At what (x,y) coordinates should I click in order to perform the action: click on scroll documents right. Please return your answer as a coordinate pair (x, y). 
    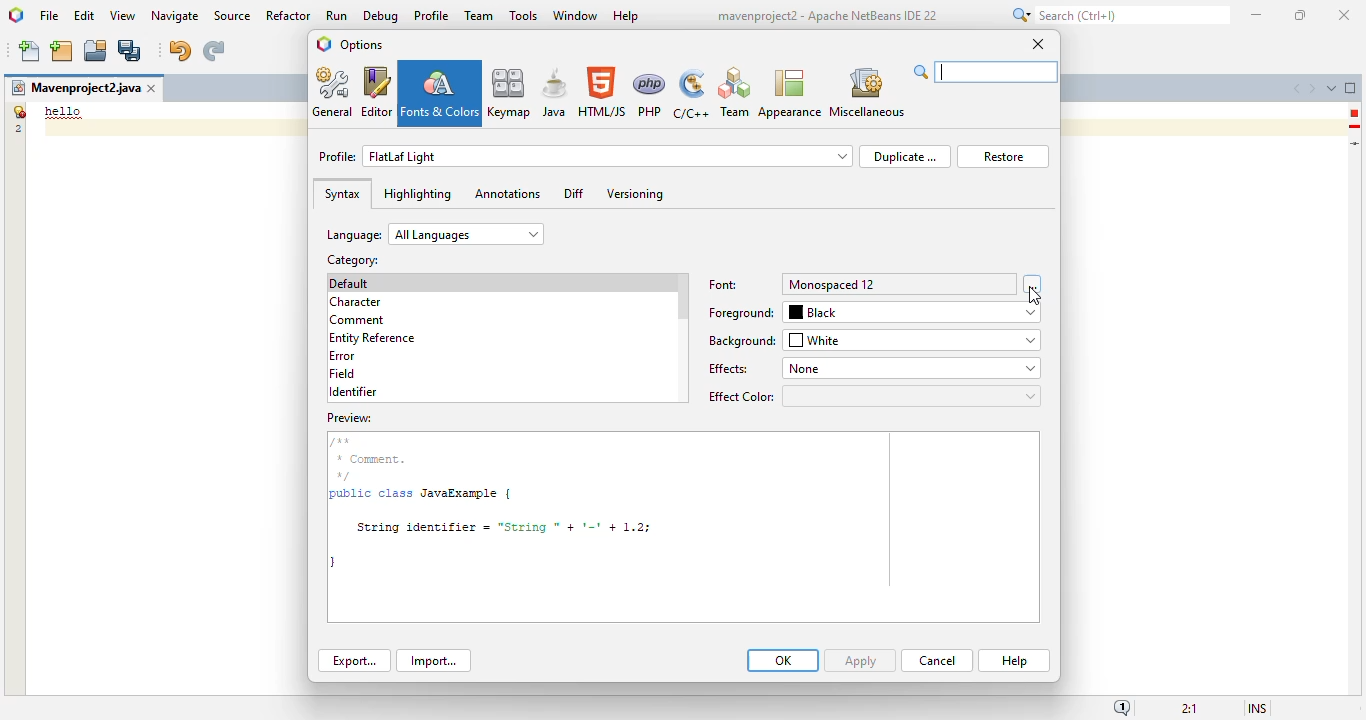
    Looking at the image, I should click on (1311, 89).